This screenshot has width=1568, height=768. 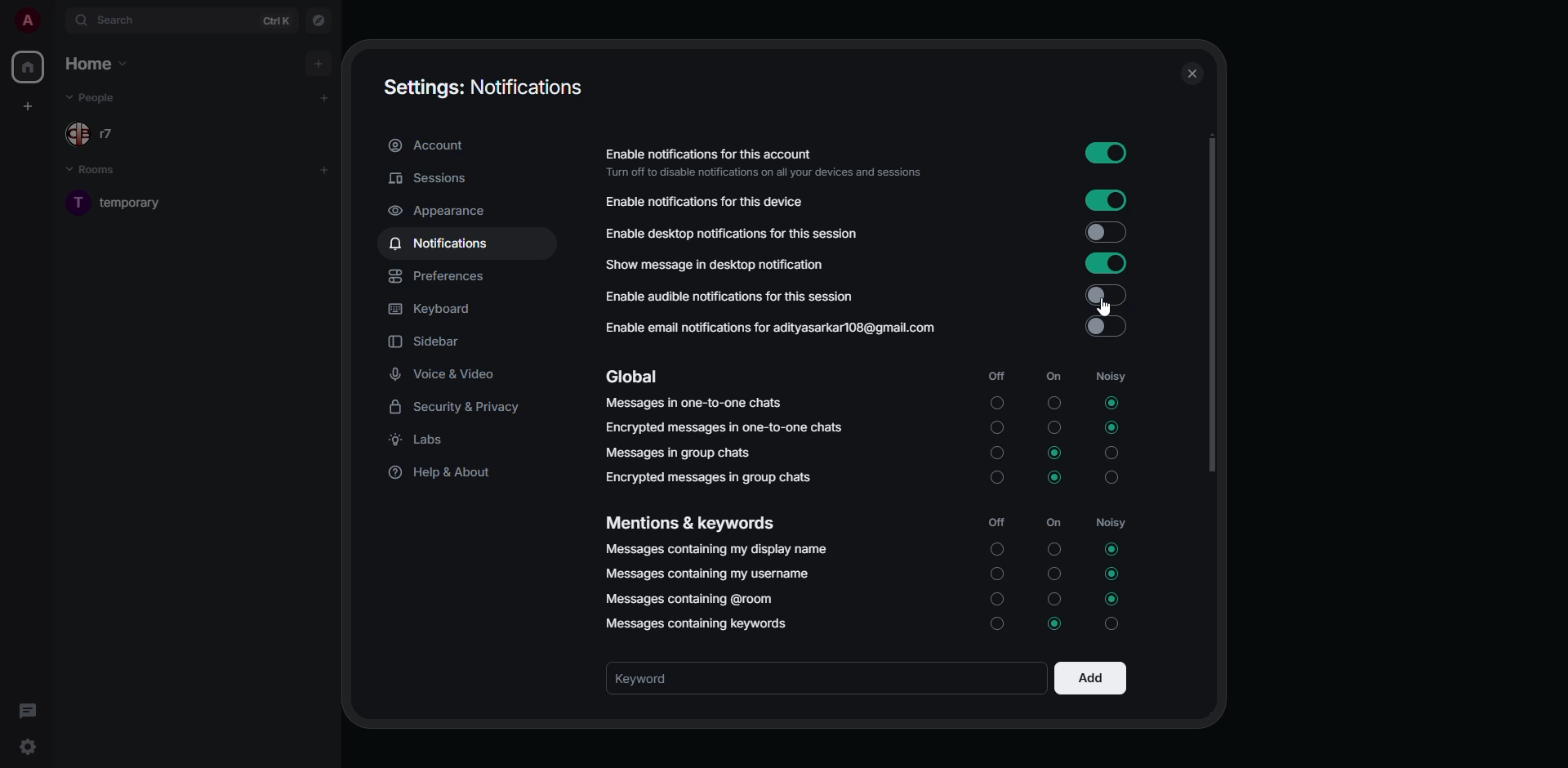 What do you see at coordinates (1114, 453) in the screenshot?
I see `Noisy Unselected` at bounding box center [1114, 453].